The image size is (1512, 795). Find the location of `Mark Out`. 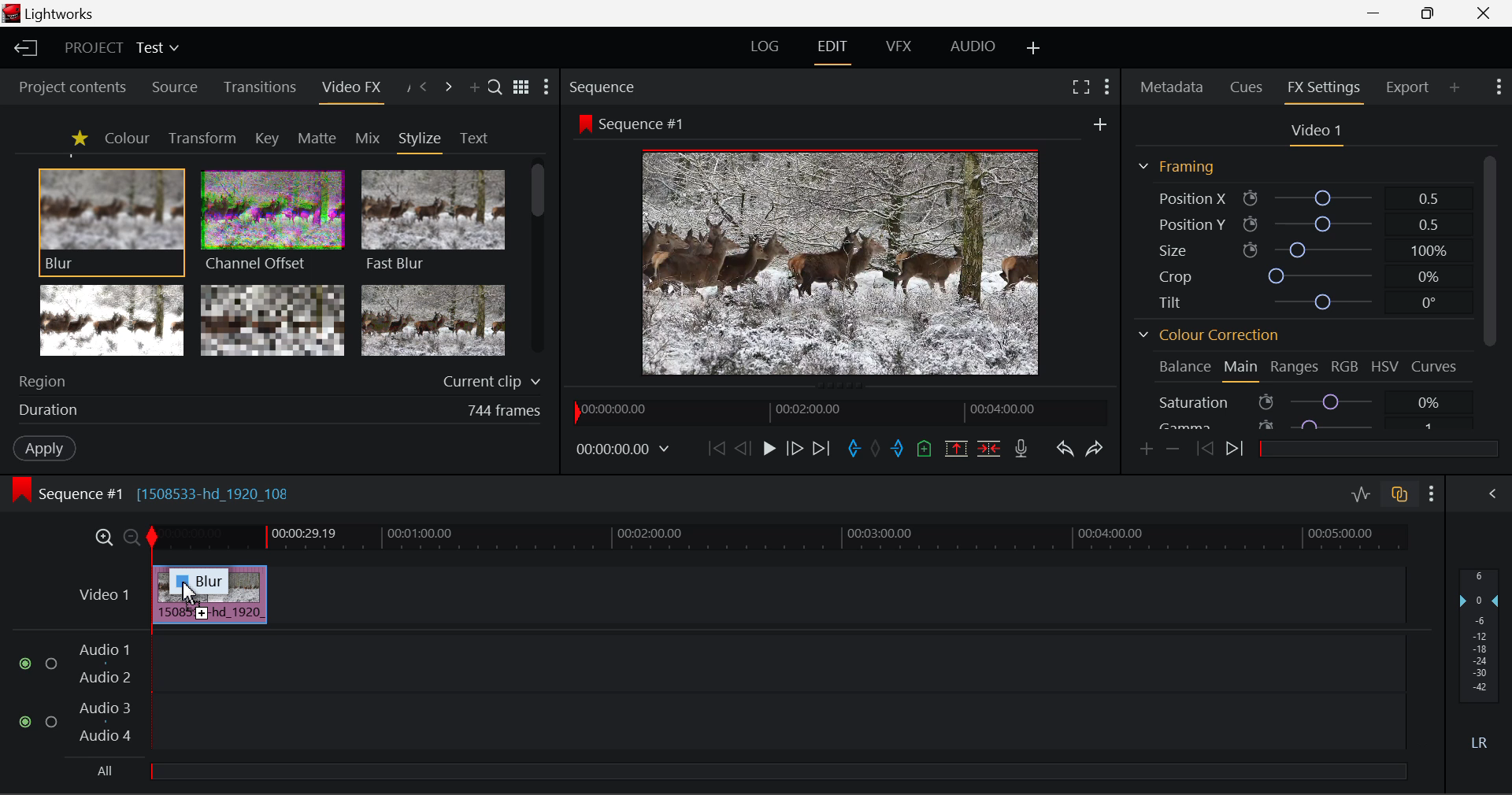

Mark Out is located at coordinates (898, 445).